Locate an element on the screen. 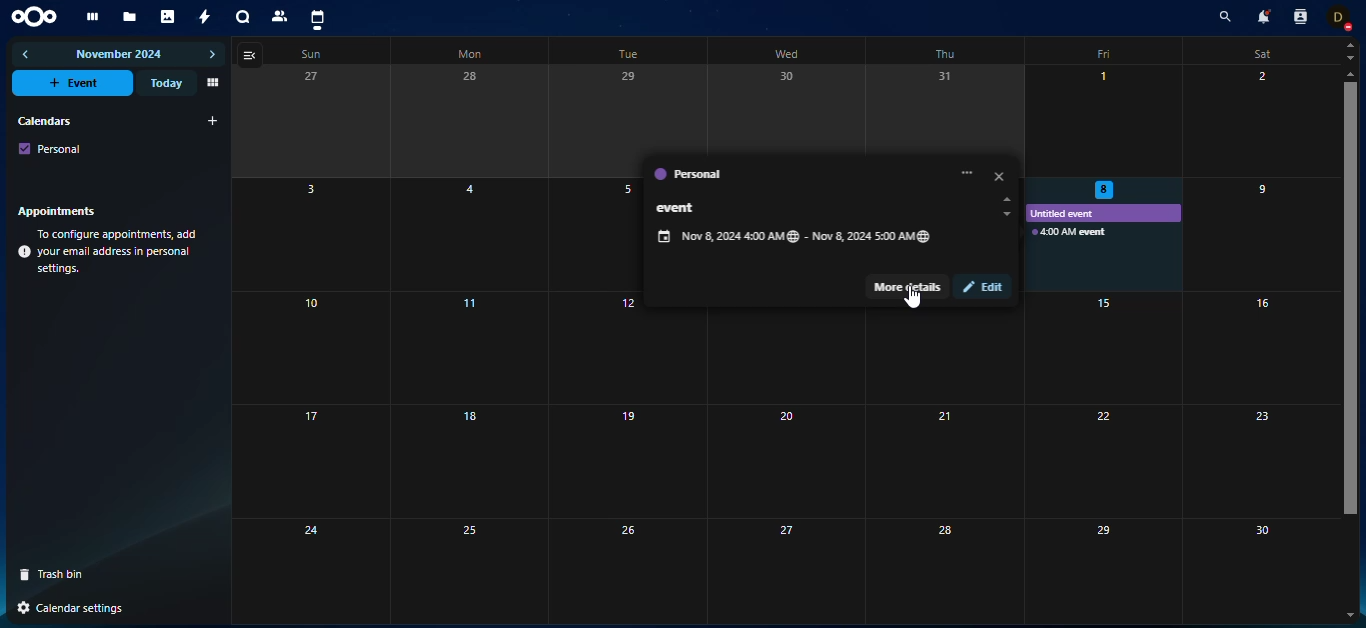  activity is located at coordinates (206, 17).